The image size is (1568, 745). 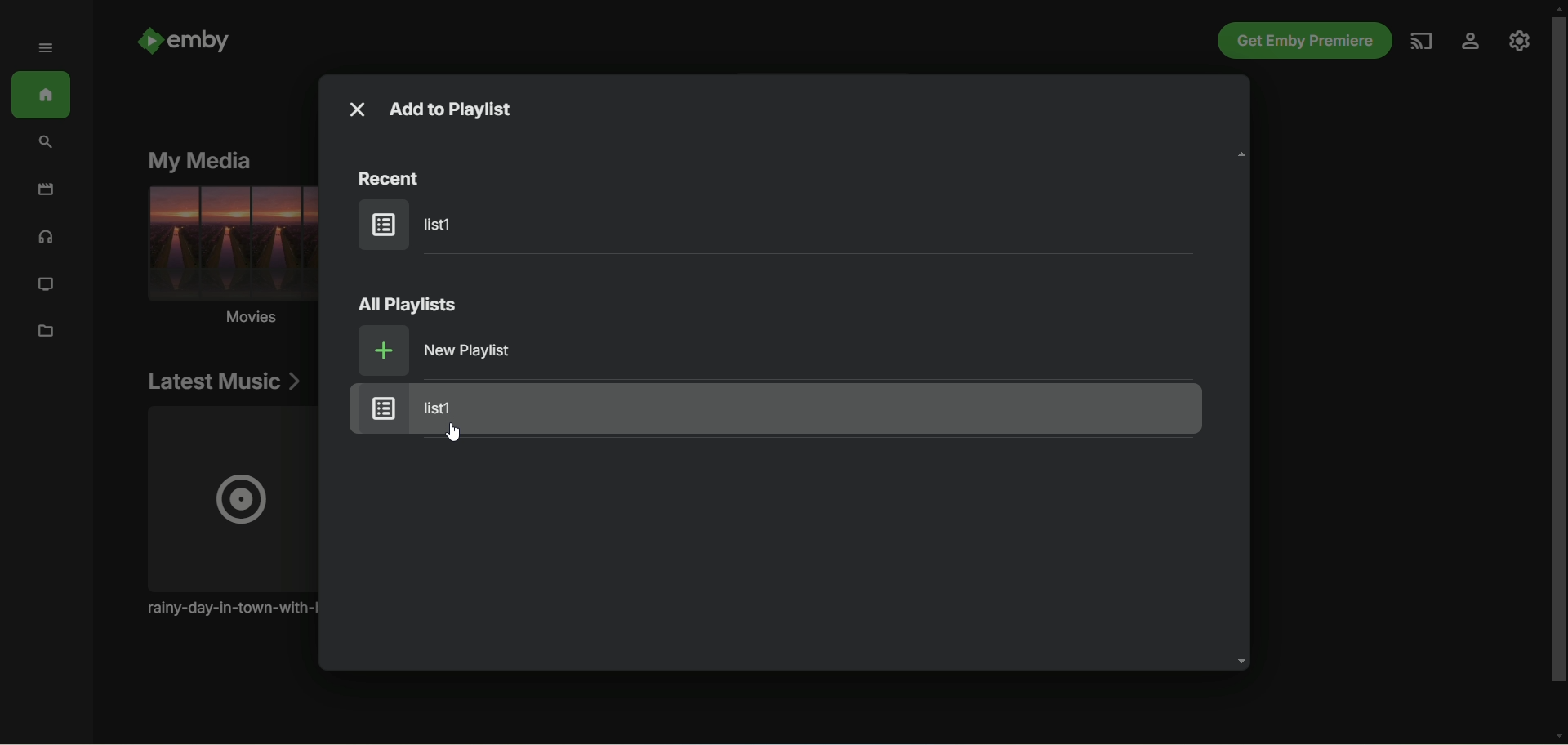 What do you see at coordinates (416, 224) in the screenshot?
I see `playlist` at bounding box center [416, 224].